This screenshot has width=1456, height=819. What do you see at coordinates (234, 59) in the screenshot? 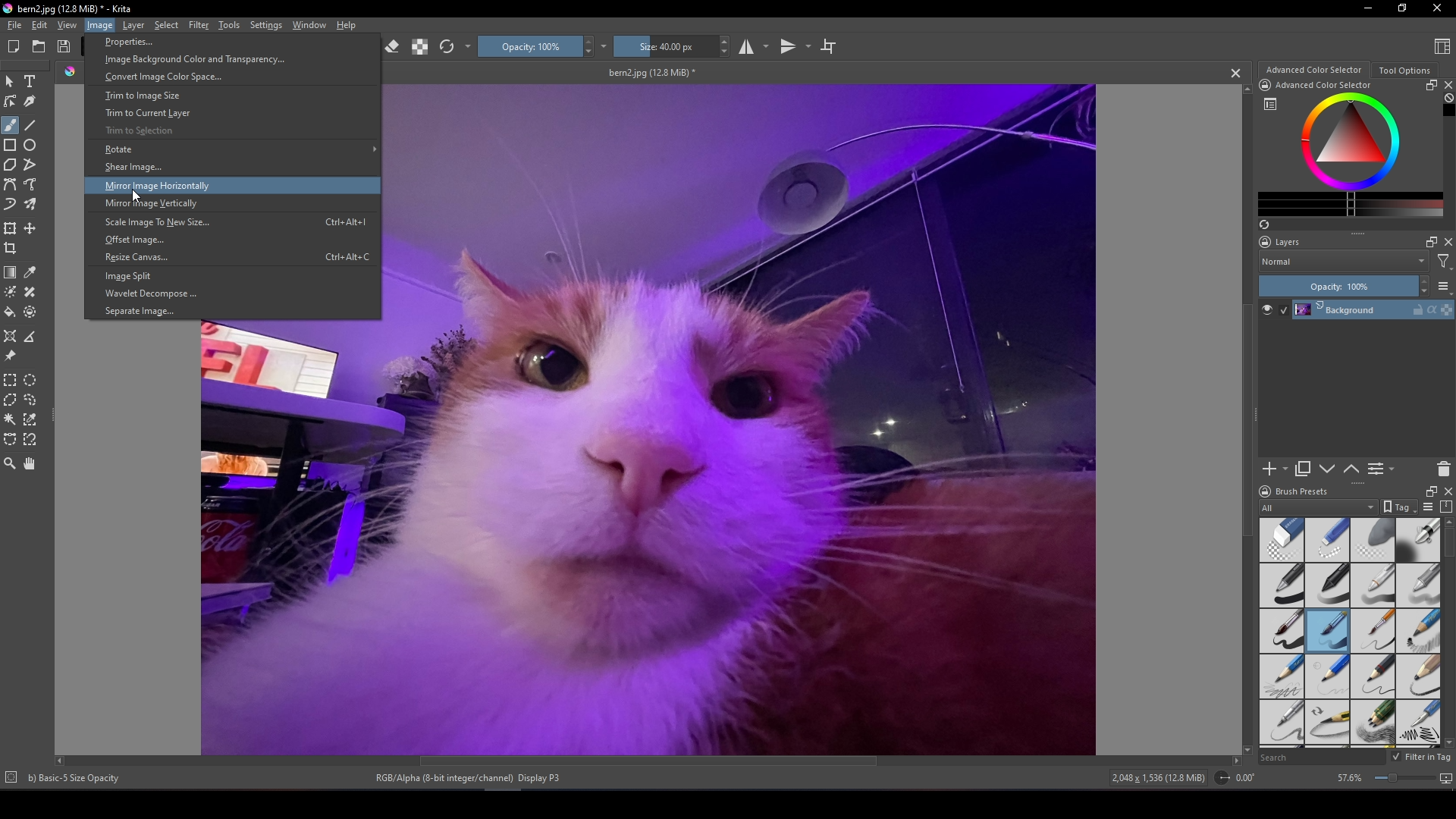
I see `Image background color and transparency...` at bounding box center [234, 59].